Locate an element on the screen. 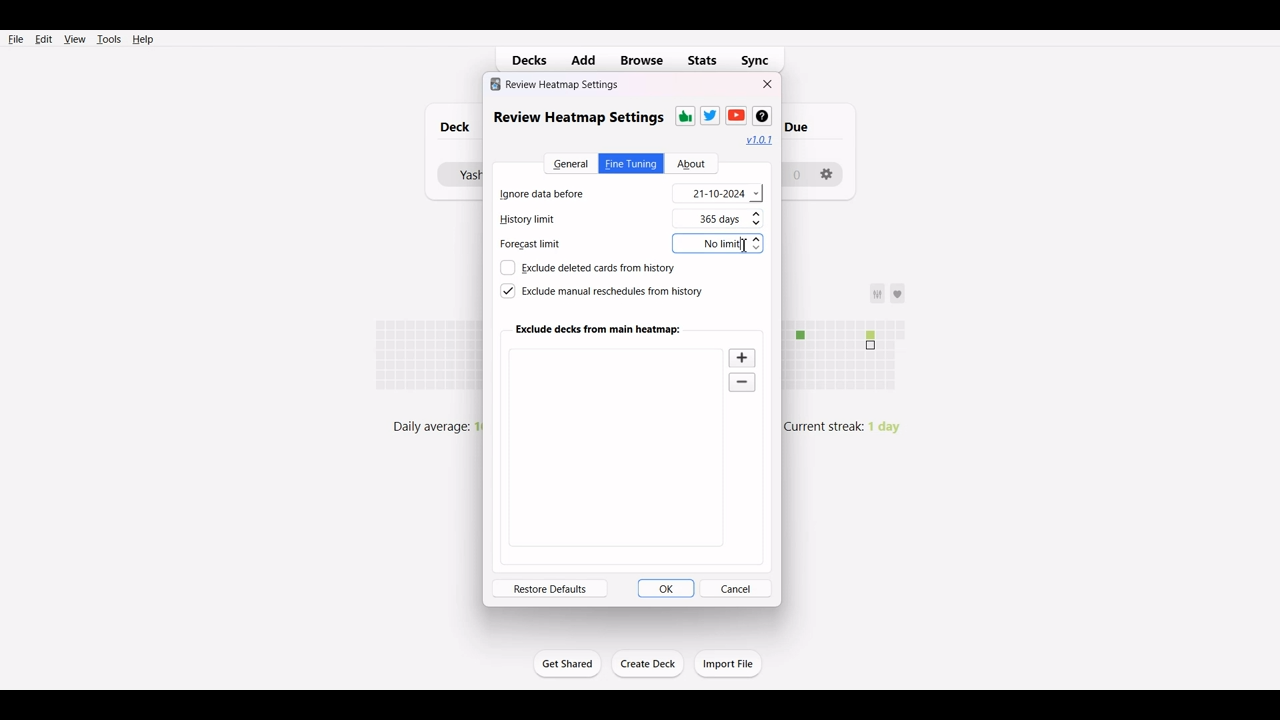 The image size is (1280, 720). Create Deck is located at coordinates (649, 664).